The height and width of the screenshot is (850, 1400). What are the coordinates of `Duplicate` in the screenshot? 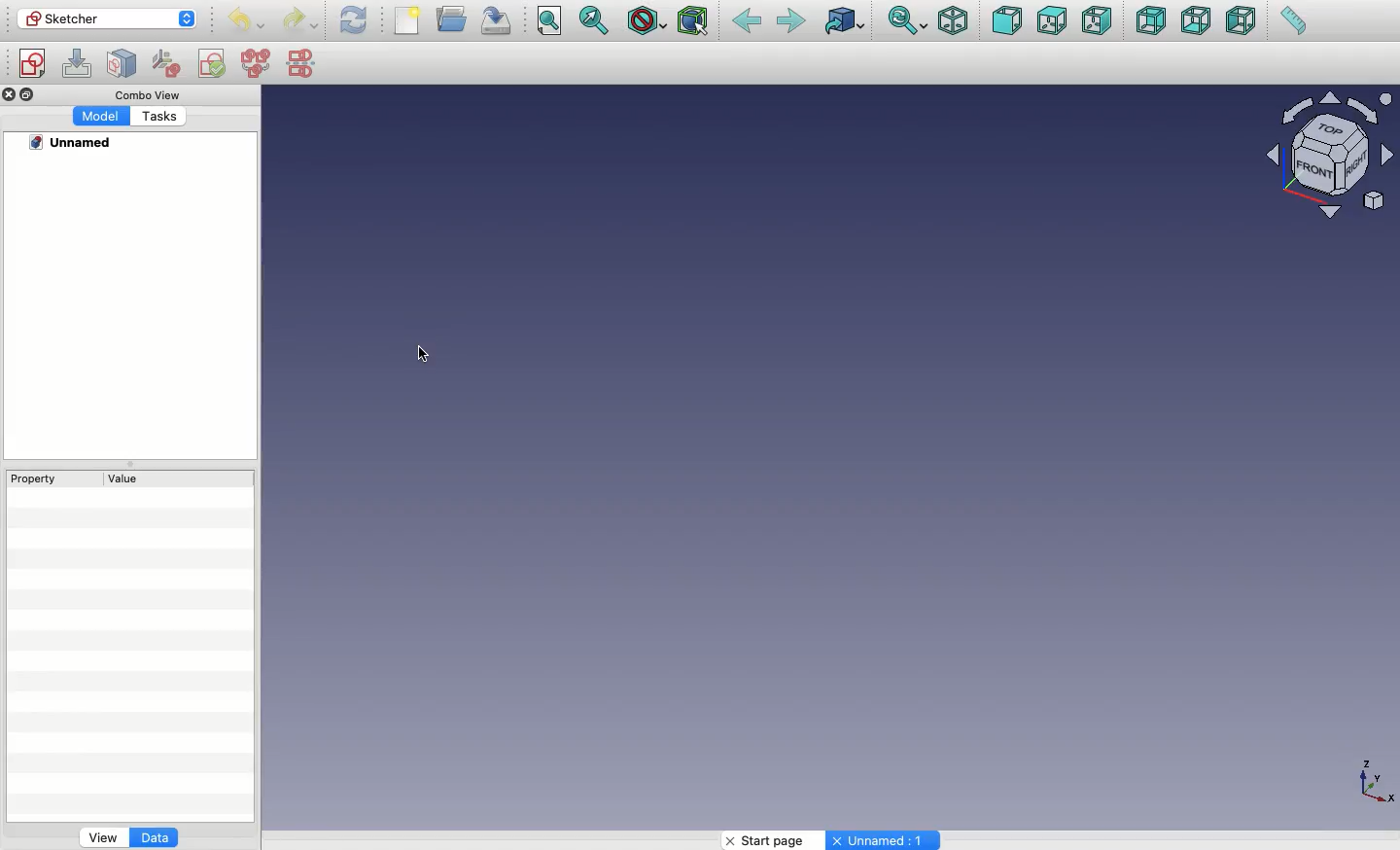 It's located at (29, 93).